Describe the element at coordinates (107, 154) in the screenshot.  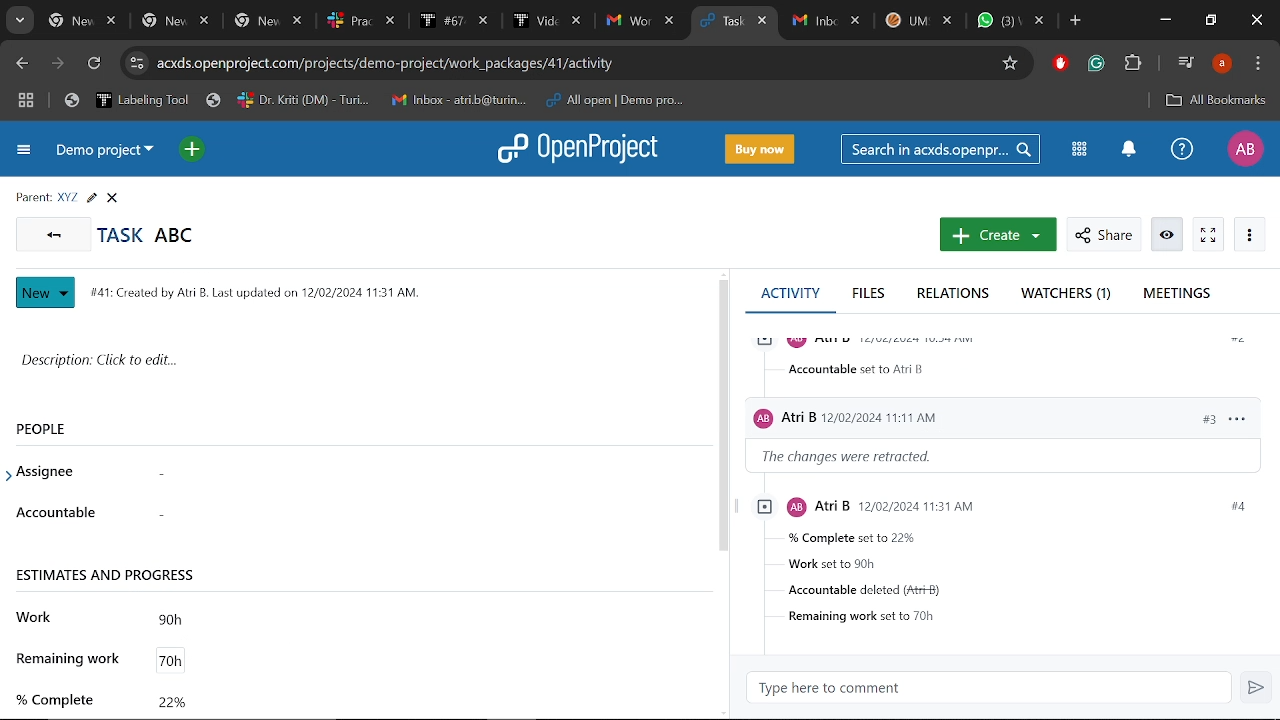
I see `Current projrct` at that location.